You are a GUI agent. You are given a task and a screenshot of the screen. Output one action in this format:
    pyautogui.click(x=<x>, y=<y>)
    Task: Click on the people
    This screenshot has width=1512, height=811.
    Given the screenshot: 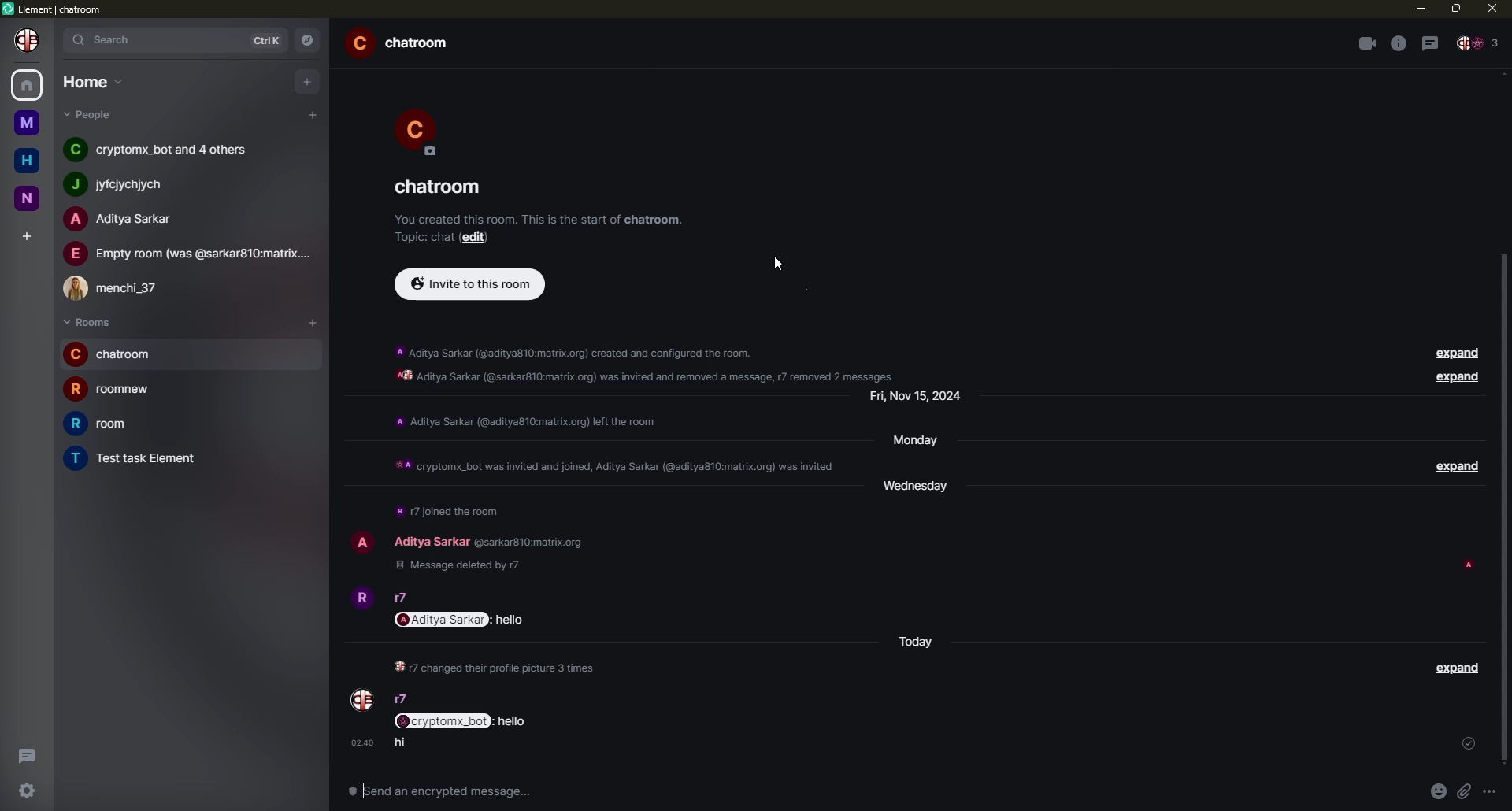 What is the action you would take?
    pyautogui.click(x=126, y=219)
    